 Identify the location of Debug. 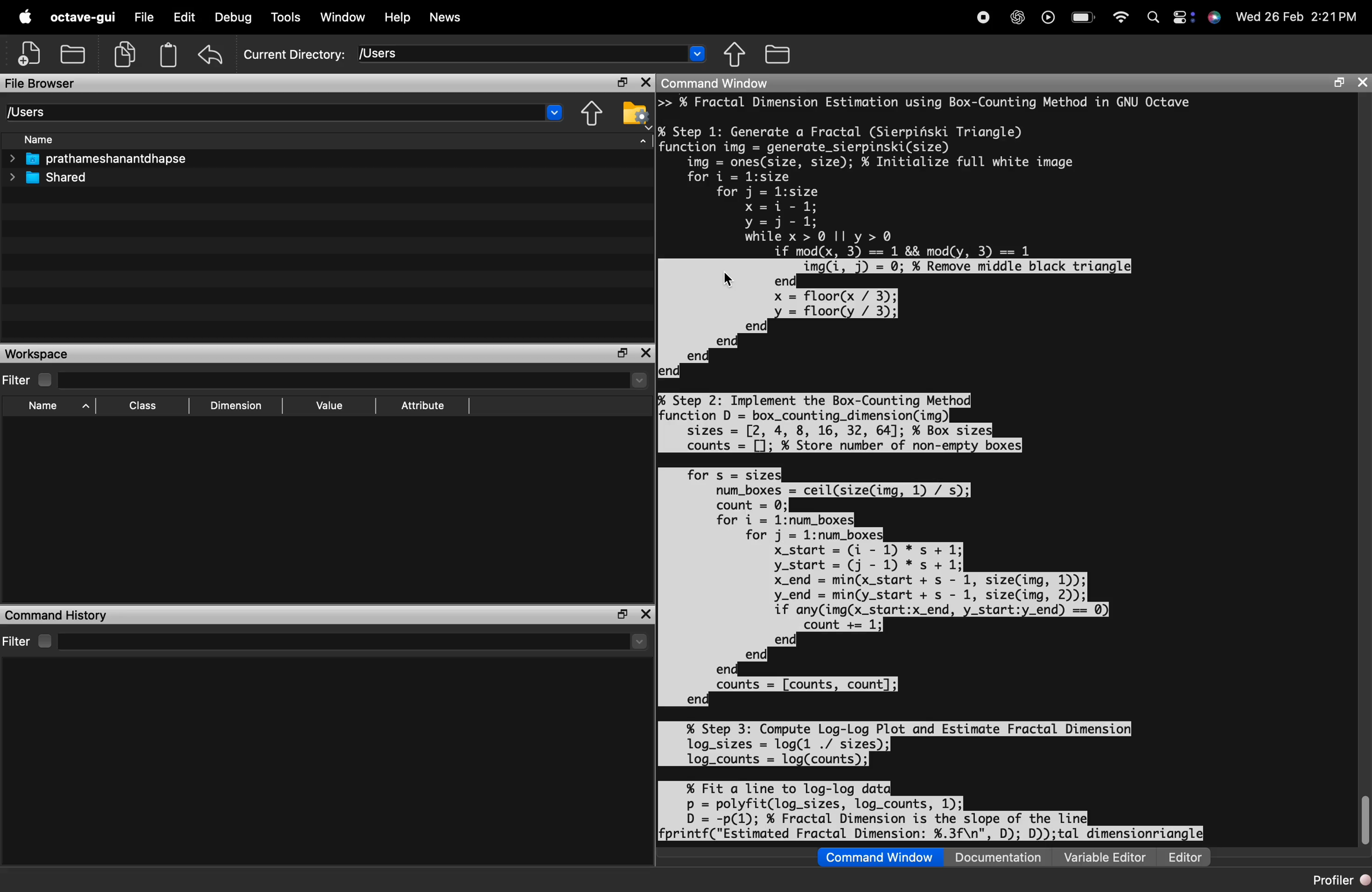
(231, 17).